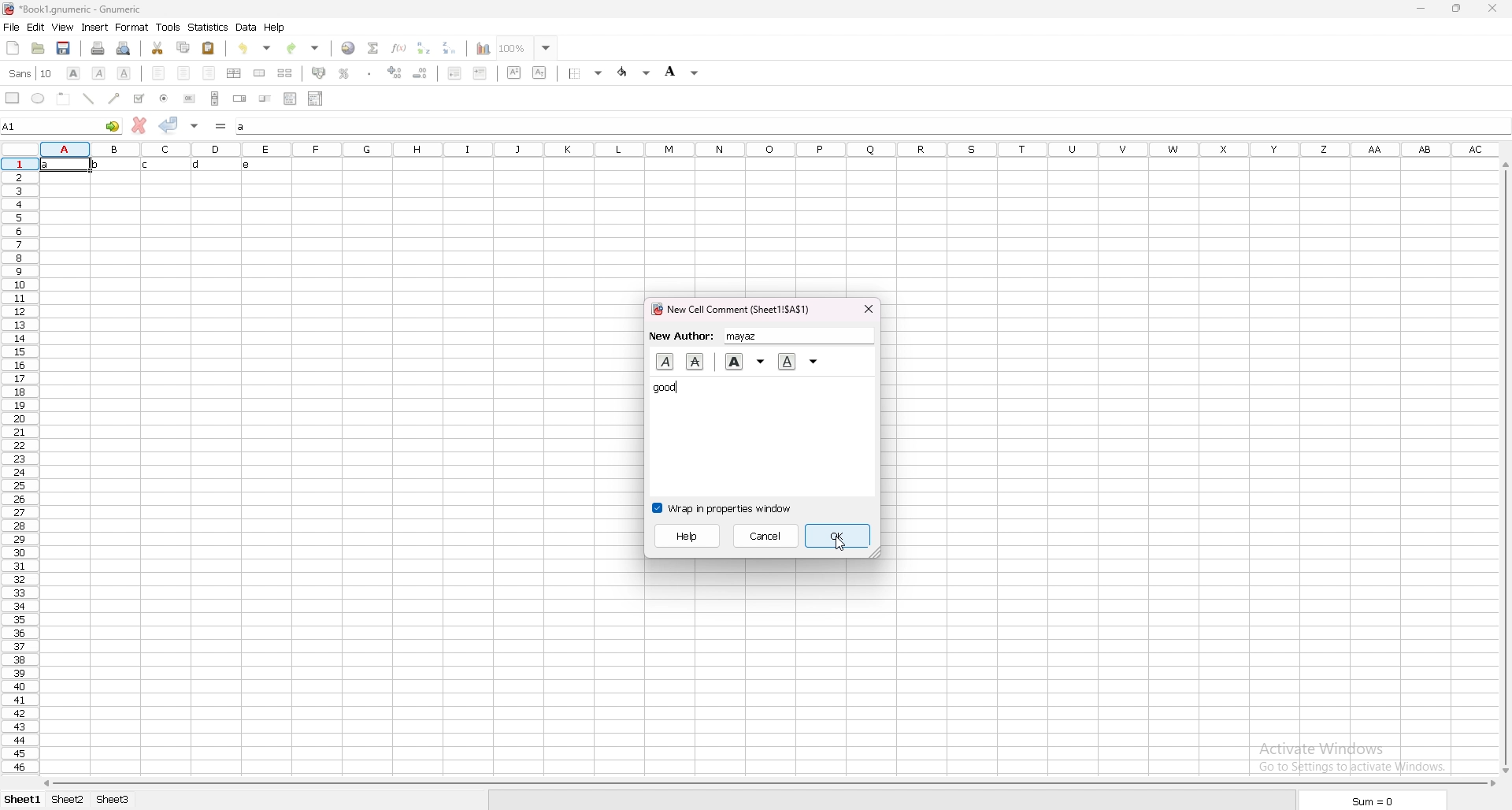 The image size is (1512, 810). I want to click on tools, so click(169, 28).